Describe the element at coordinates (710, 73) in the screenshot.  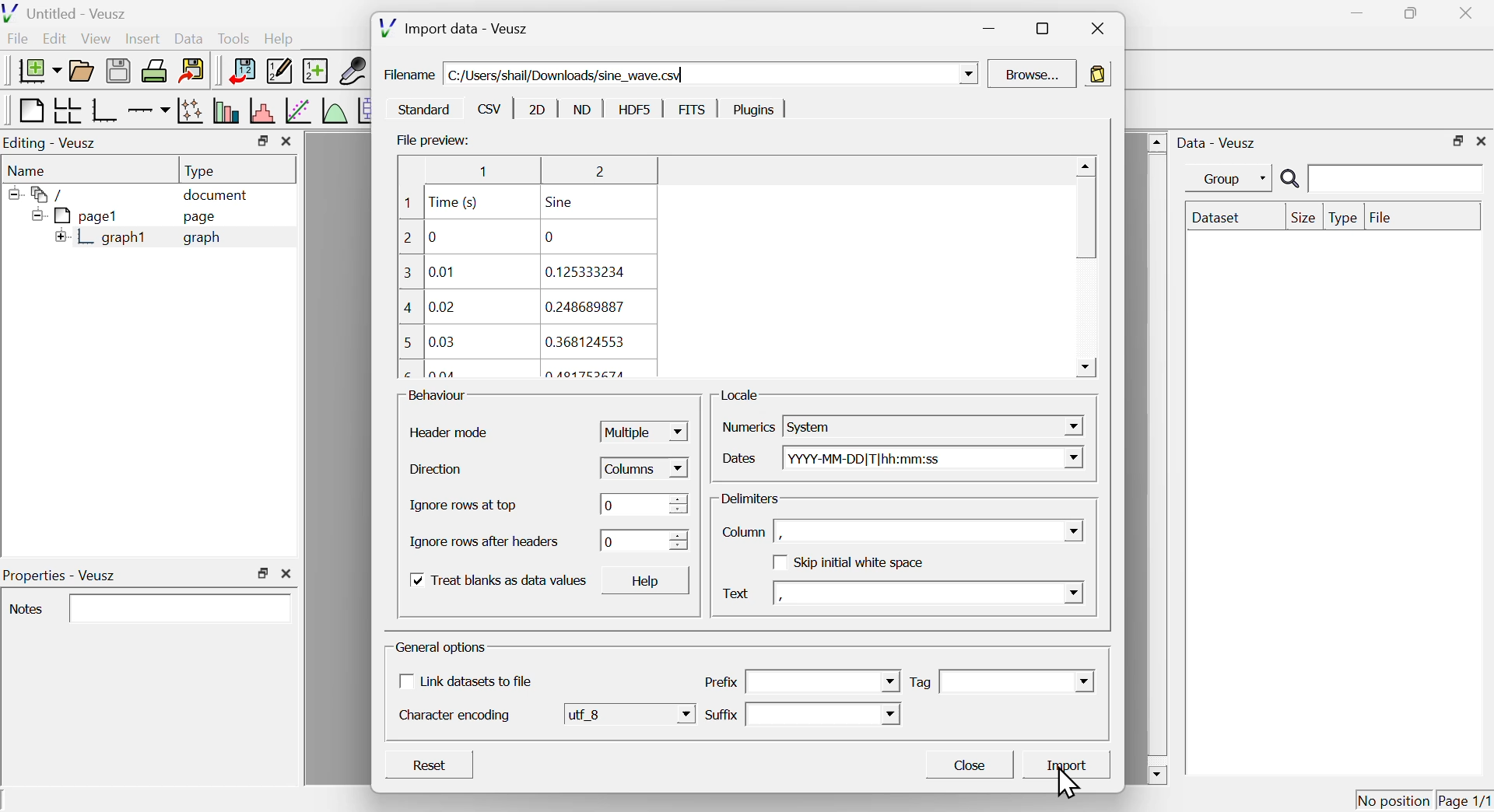
I see `C:/Users/shail/Downloads/sine_wave.csv |` at that location.